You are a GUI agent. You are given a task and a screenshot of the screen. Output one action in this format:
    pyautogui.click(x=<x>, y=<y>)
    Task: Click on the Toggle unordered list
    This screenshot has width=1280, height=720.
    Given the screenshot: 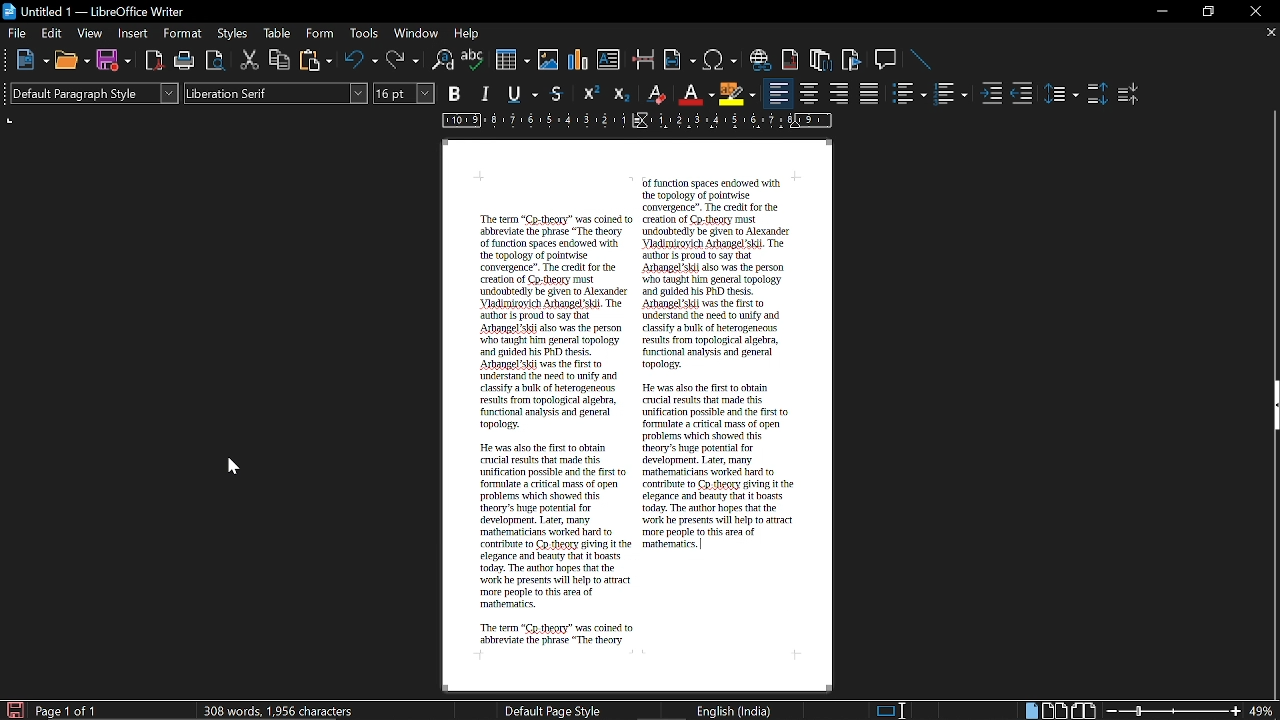 What is the action you would take?
    pyautogui.click(x=909, y=94)
    